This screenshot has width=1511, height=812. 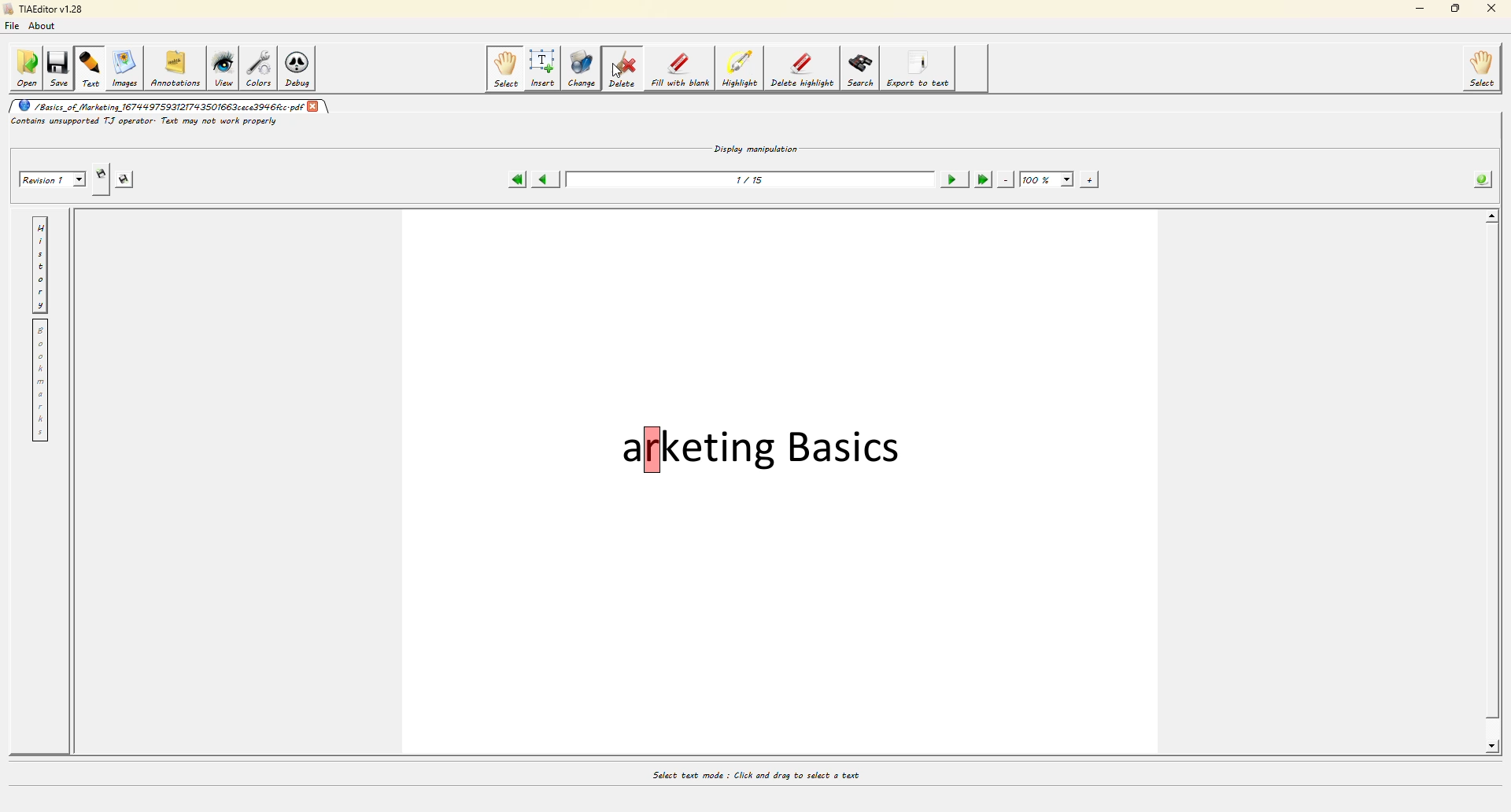 What do you see at coordinates (1484, 176) in the screenshot?
I see `info about the pdf` at bounding box center [1484, 176].